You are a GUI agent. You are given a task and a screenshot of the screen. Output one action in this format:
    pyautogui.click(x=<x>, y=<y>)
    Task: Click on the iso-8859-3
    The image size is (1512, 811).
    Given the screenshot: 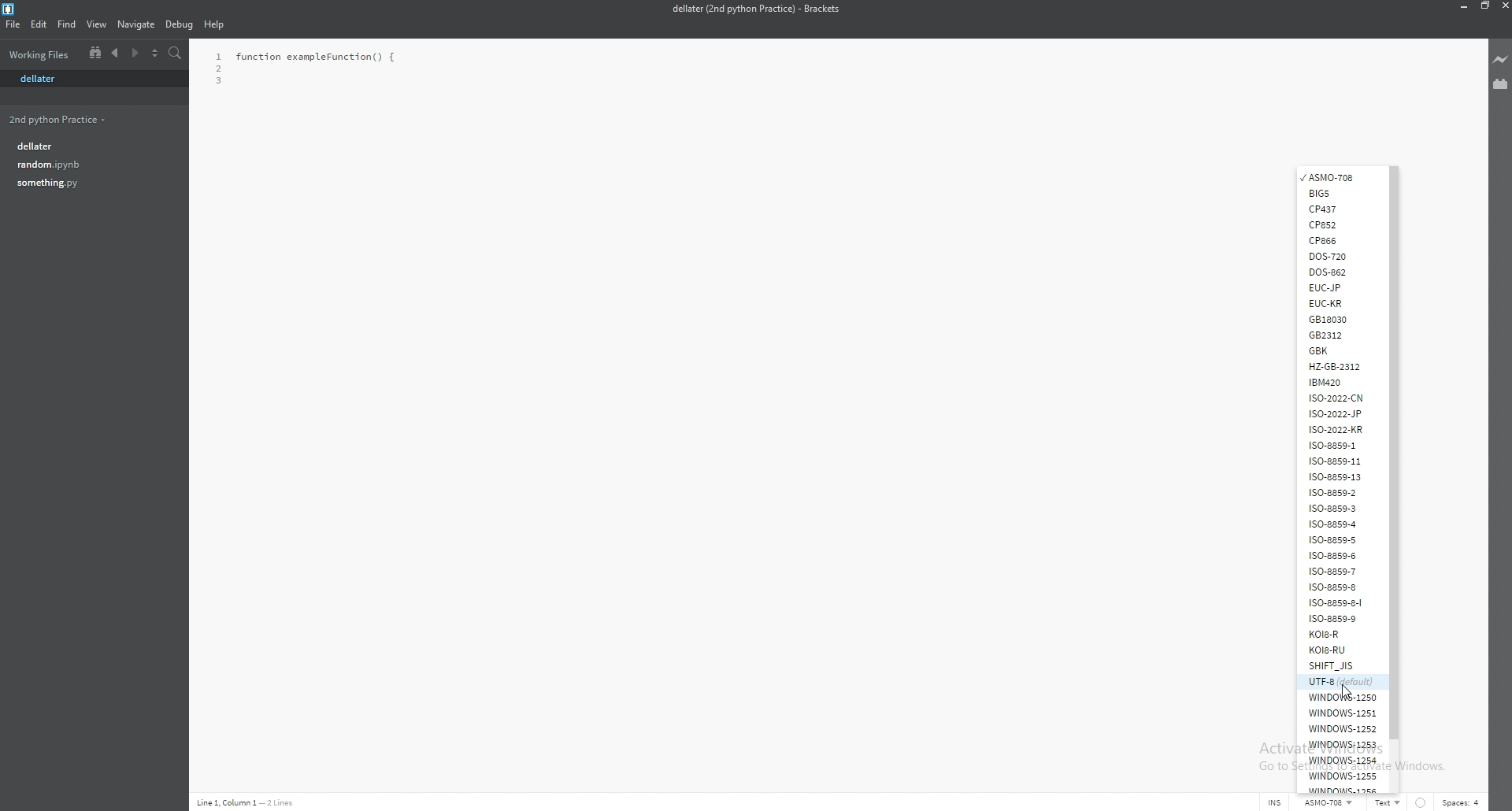 What is the action you would take?
    pyautogui.click(x=1337, y=509)
    